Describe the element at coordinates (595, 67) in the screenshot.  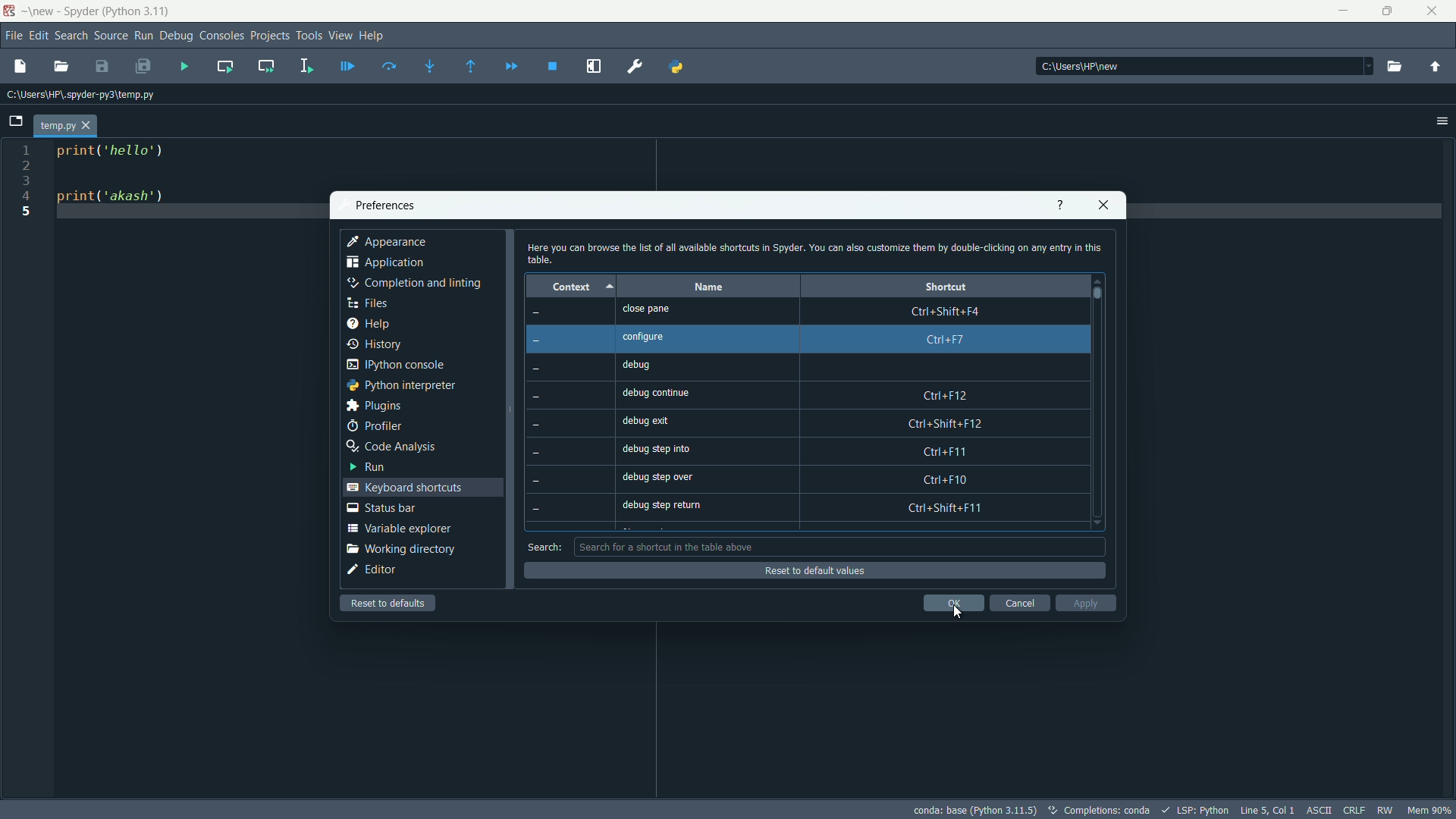
I see `maximize current pane` at that location.